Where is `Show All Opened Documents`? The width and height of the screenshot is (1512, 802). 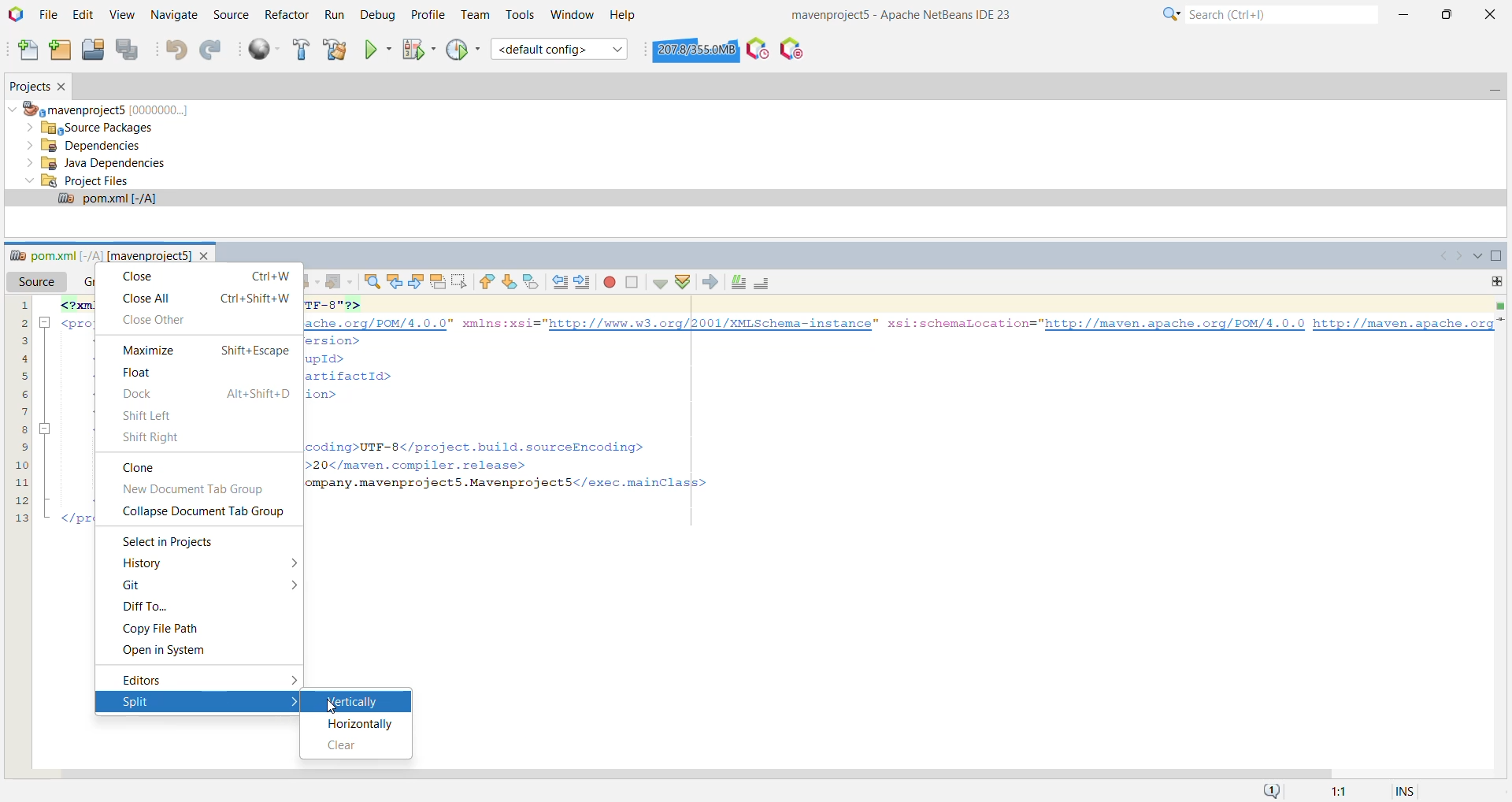 Show All Opened Documents is located at coordinates (1475, 255).